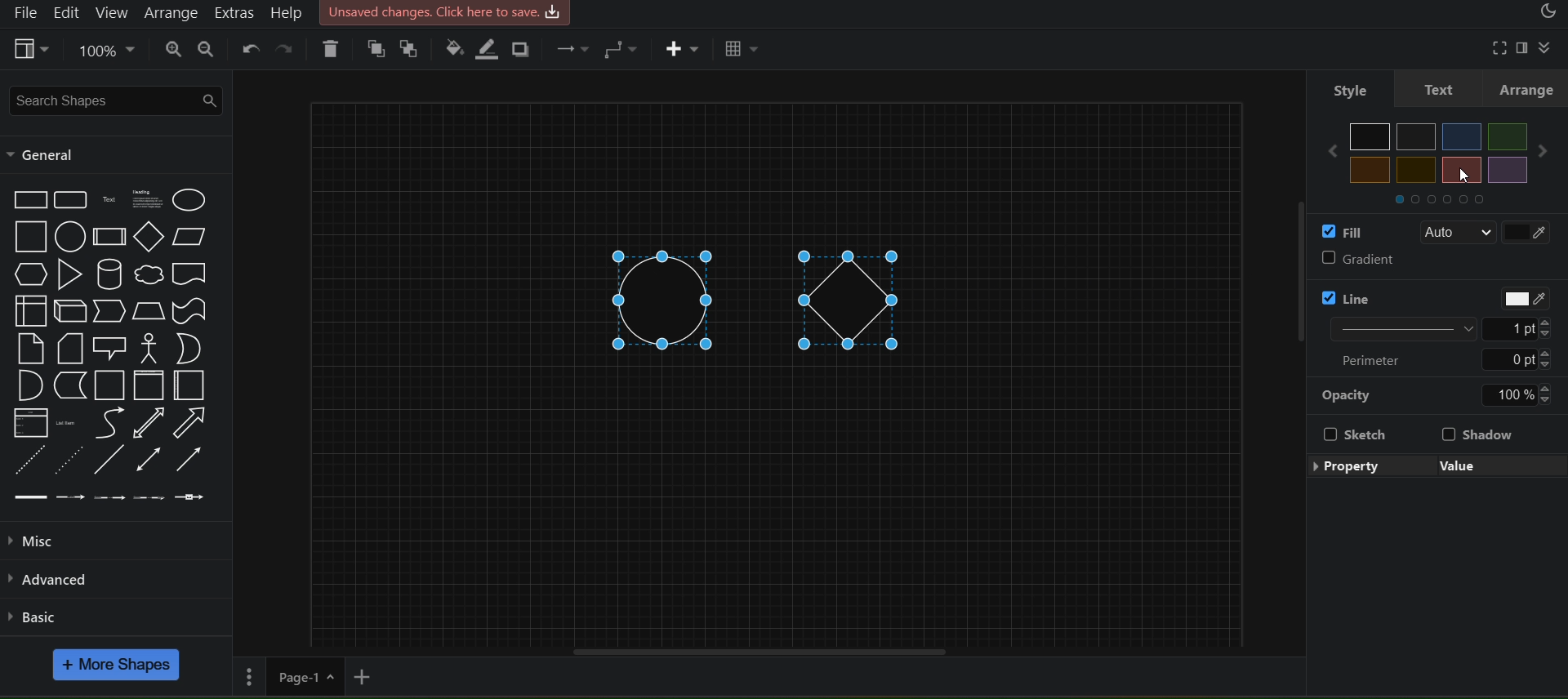 This screenshot has width=1568, height=699. What do you see at coordinates (761, 652) in the screenshot?
I see `horizontal scroll bar` at bounding box center [761, 652].